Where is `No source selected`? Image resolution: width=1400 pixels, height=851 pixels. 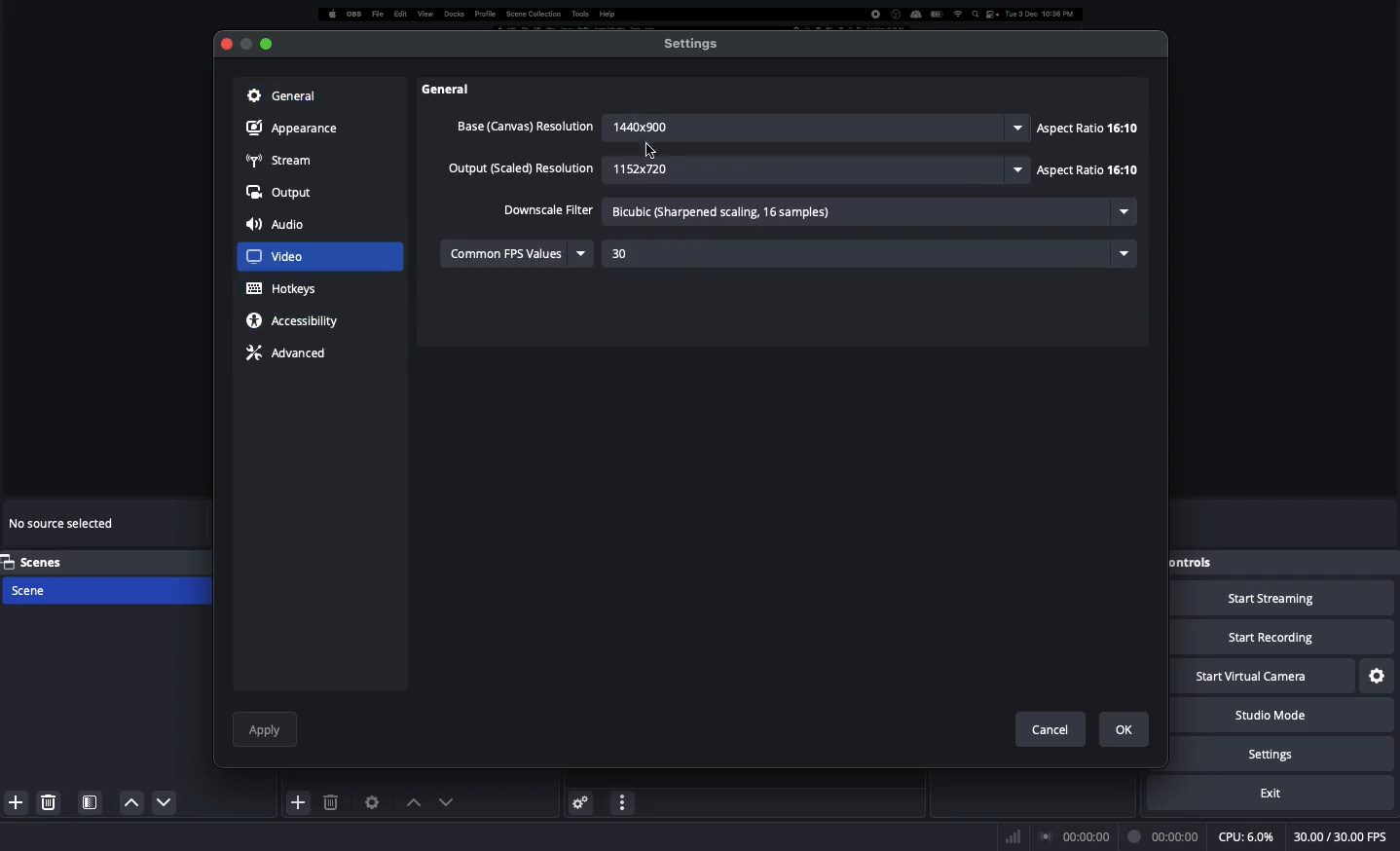
No source selected is located at coordinates (64, 527).